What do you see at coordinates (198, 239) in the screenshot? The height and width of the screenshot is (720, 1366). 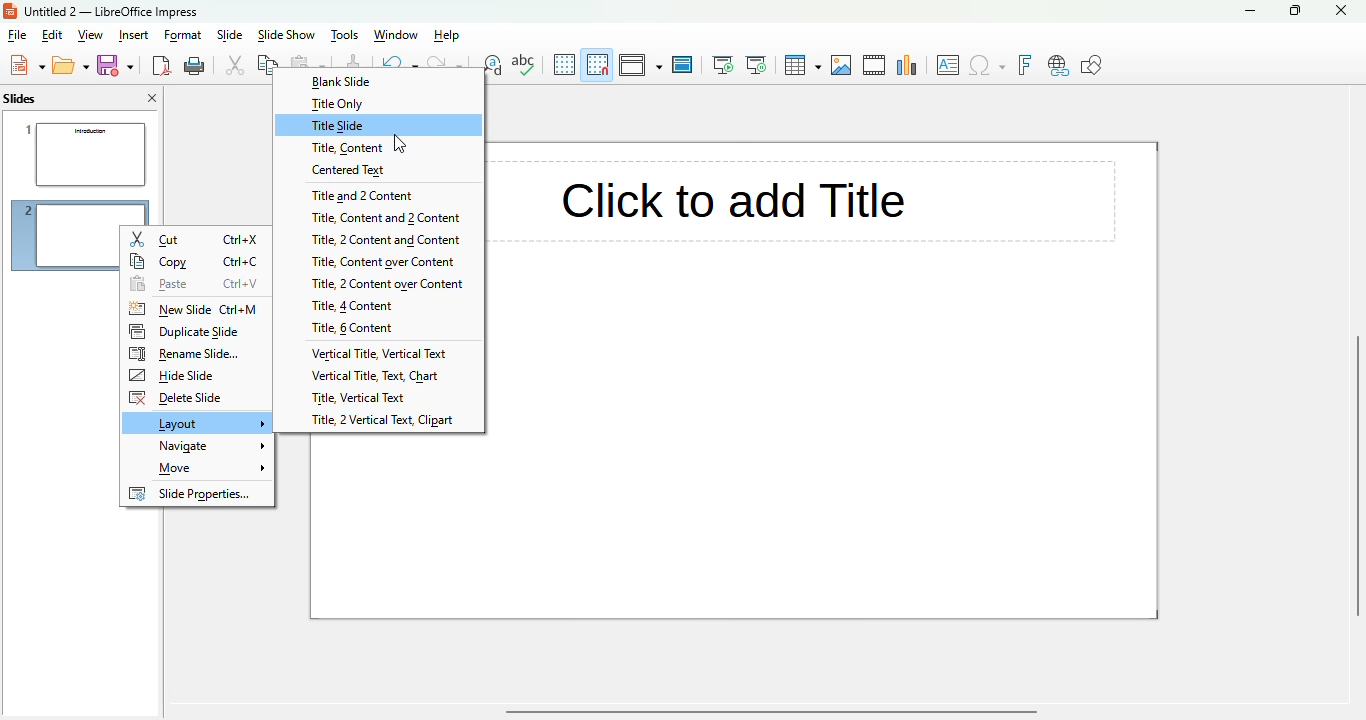 I see `cut` at bounding box center [198, 239].